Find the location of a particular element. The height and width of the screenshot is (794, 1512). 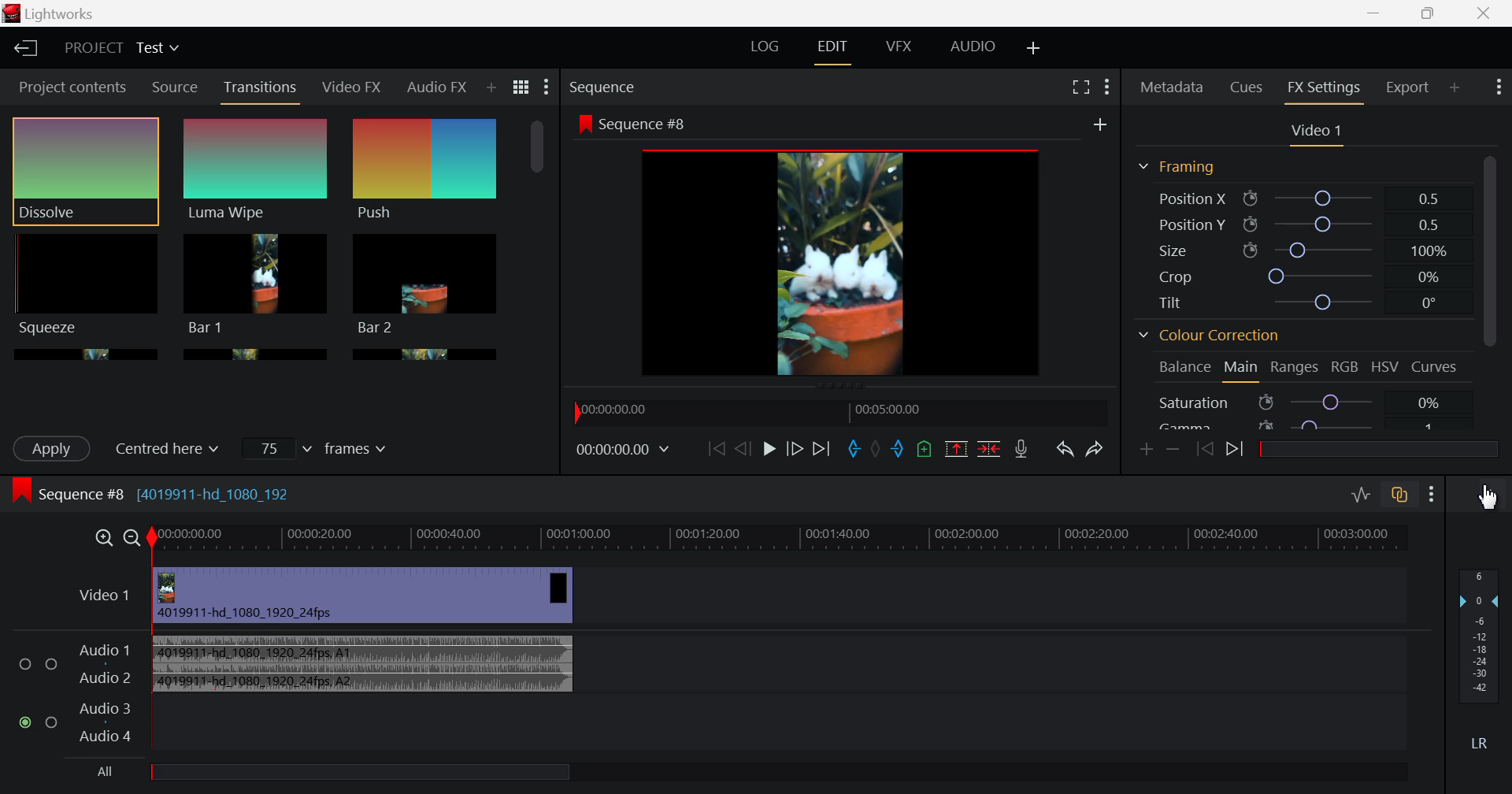

Mark In is located at coordinates (854, 450).